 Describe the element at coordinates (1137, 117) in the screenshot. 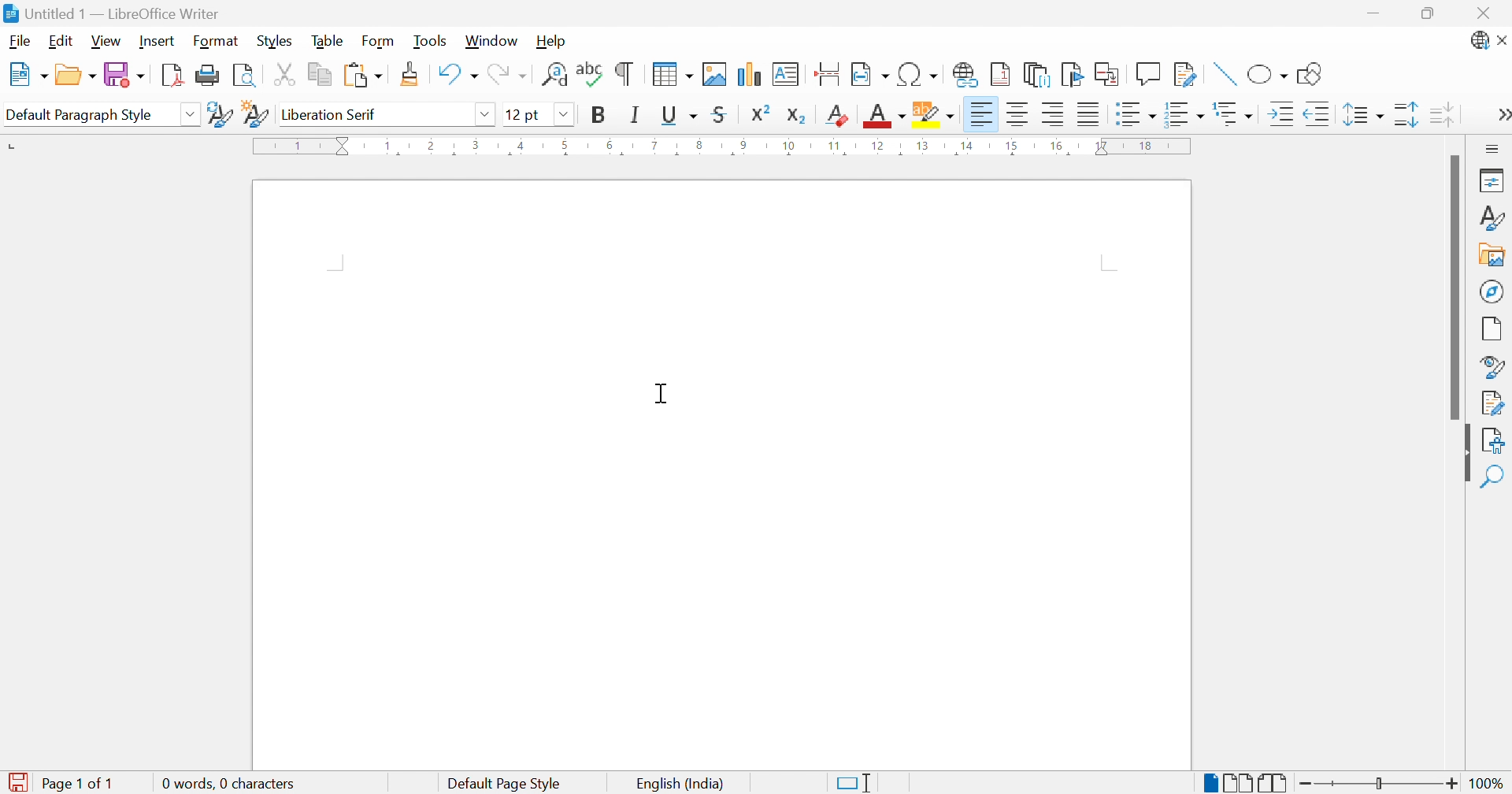

I see `Toggle unordered list` at that location.